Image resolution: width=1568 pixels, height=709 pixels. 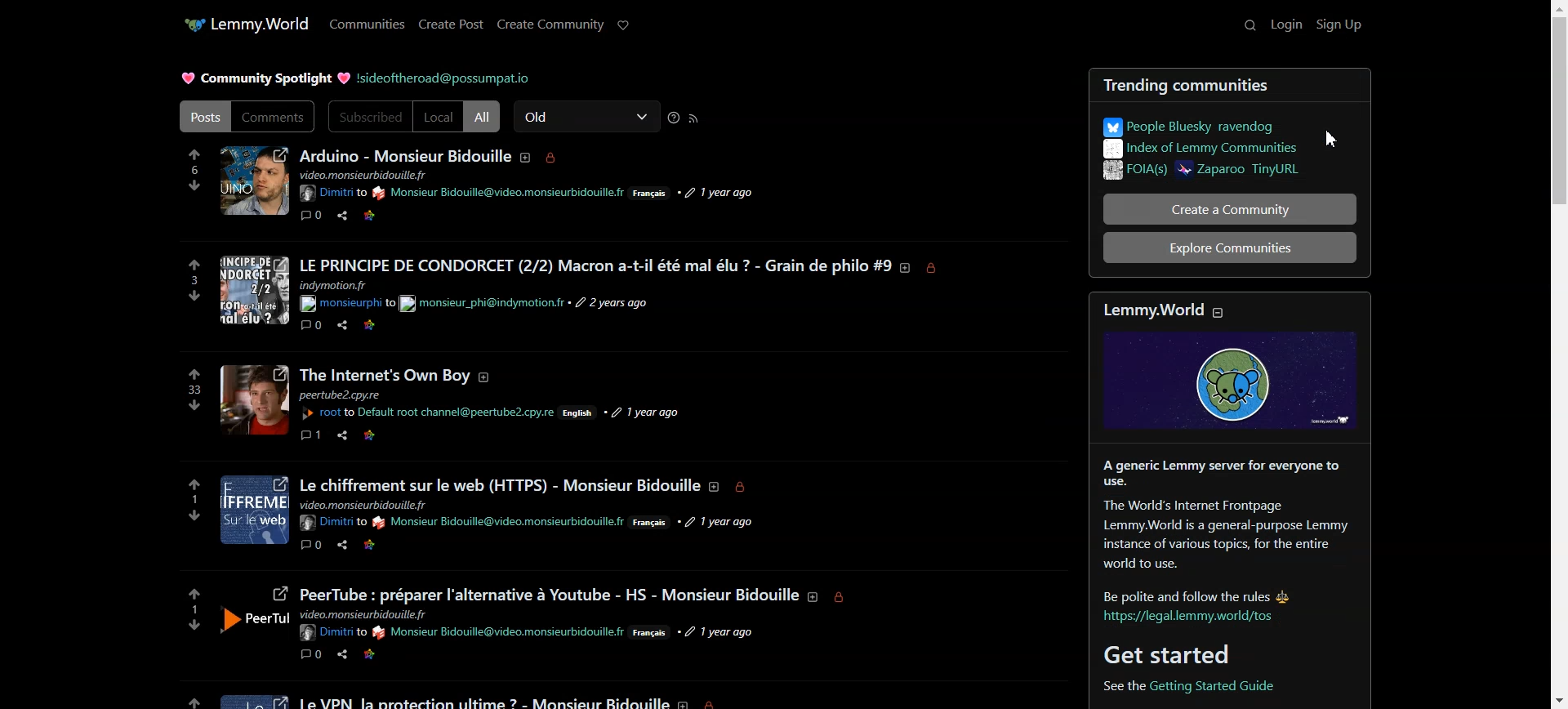 What do you see at coordinates (624, 25) in the screenshot?
I see `Support Lemmy` at bounding box center [624, 25].